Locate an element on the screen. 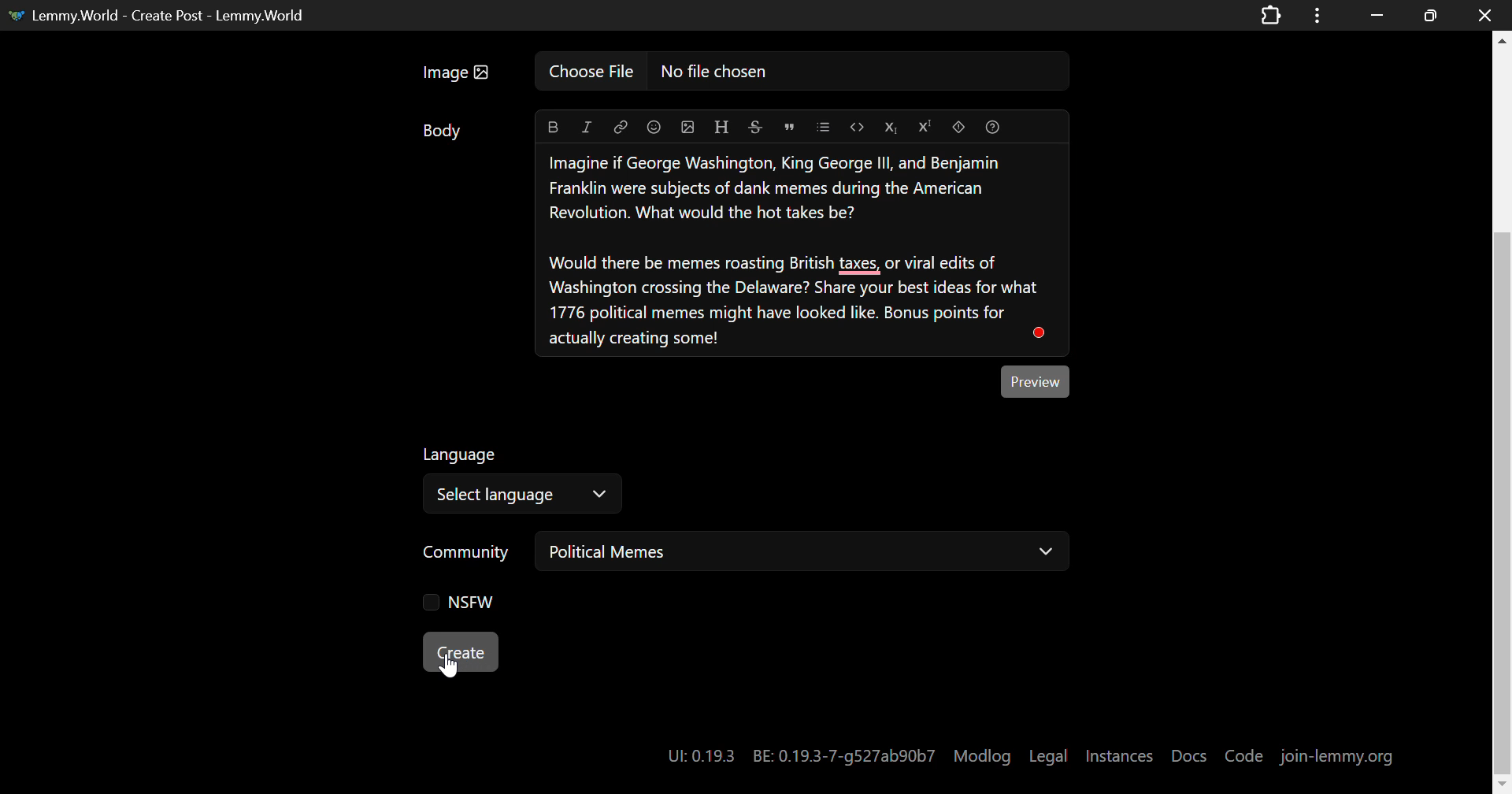  Spoiler is located at coordinates (959, 128).